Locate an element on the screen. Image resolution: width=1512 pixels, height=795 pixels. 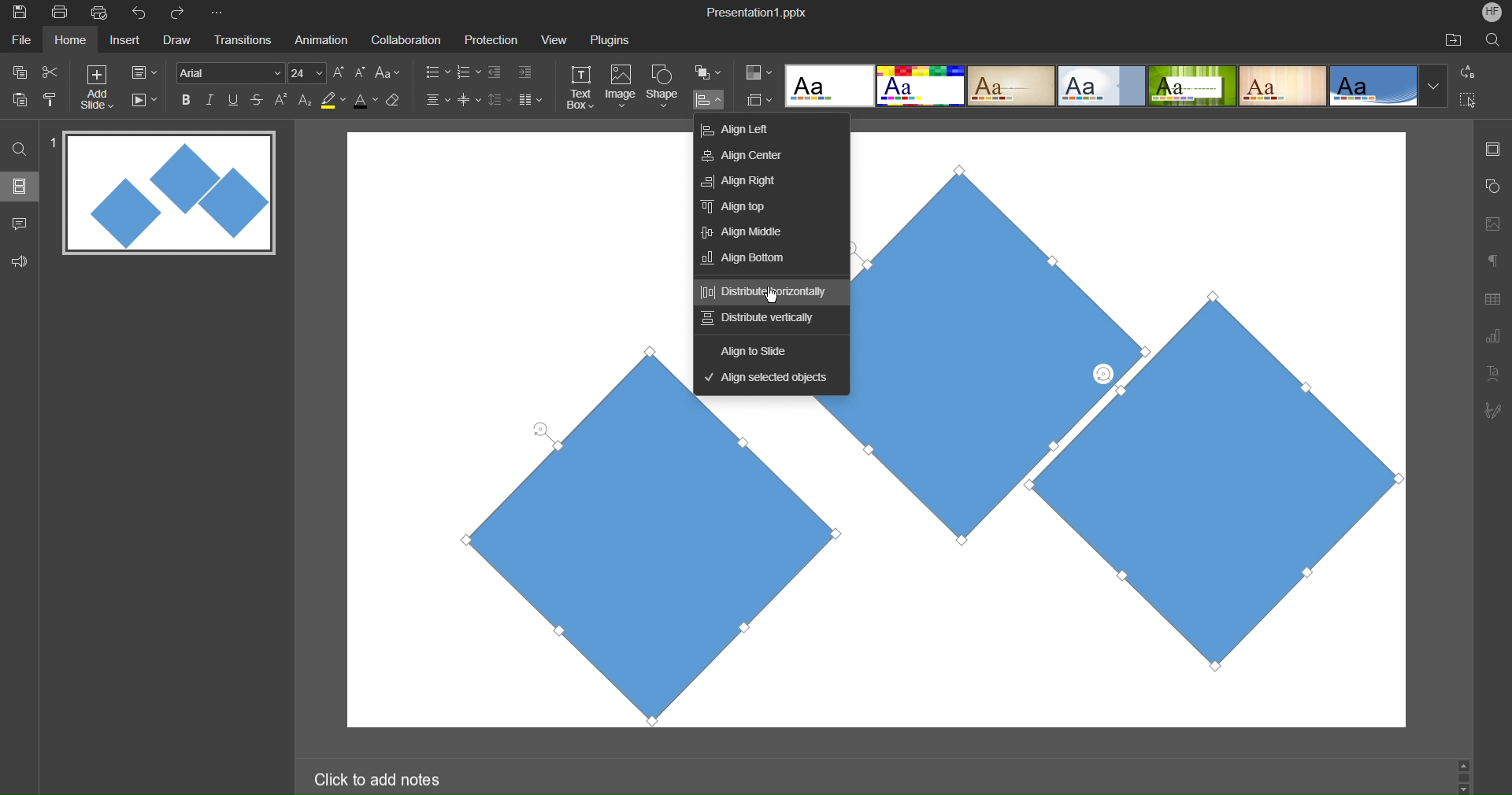
align left is located at coordinates (767, 129).